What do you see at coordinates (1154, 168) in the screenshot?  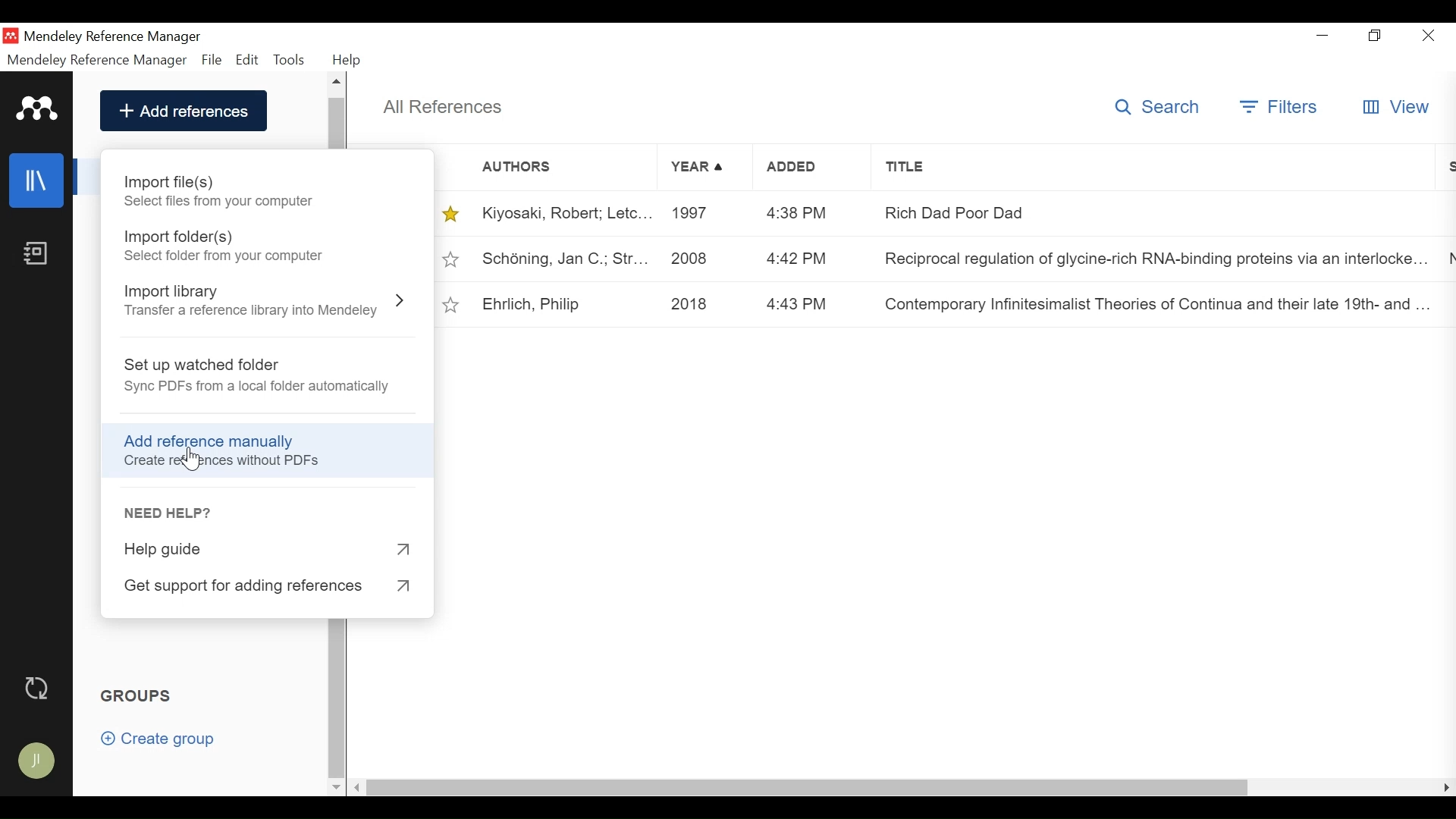 I see `Title` at bounding box center [1154, 168].